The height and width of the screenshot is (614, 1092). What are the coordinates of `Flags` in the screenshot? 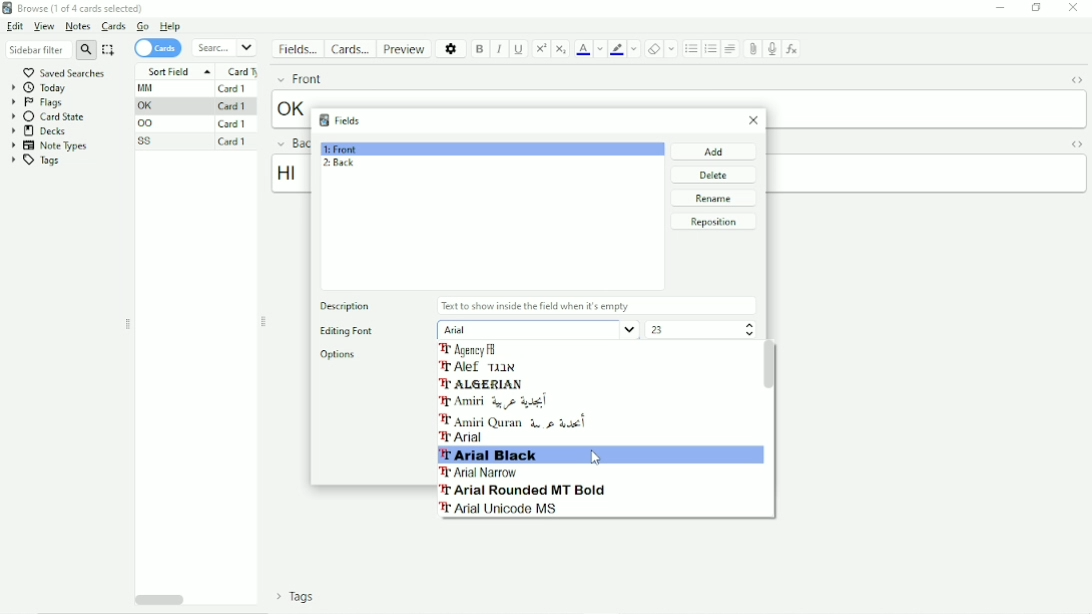 It's located at (37, 103).